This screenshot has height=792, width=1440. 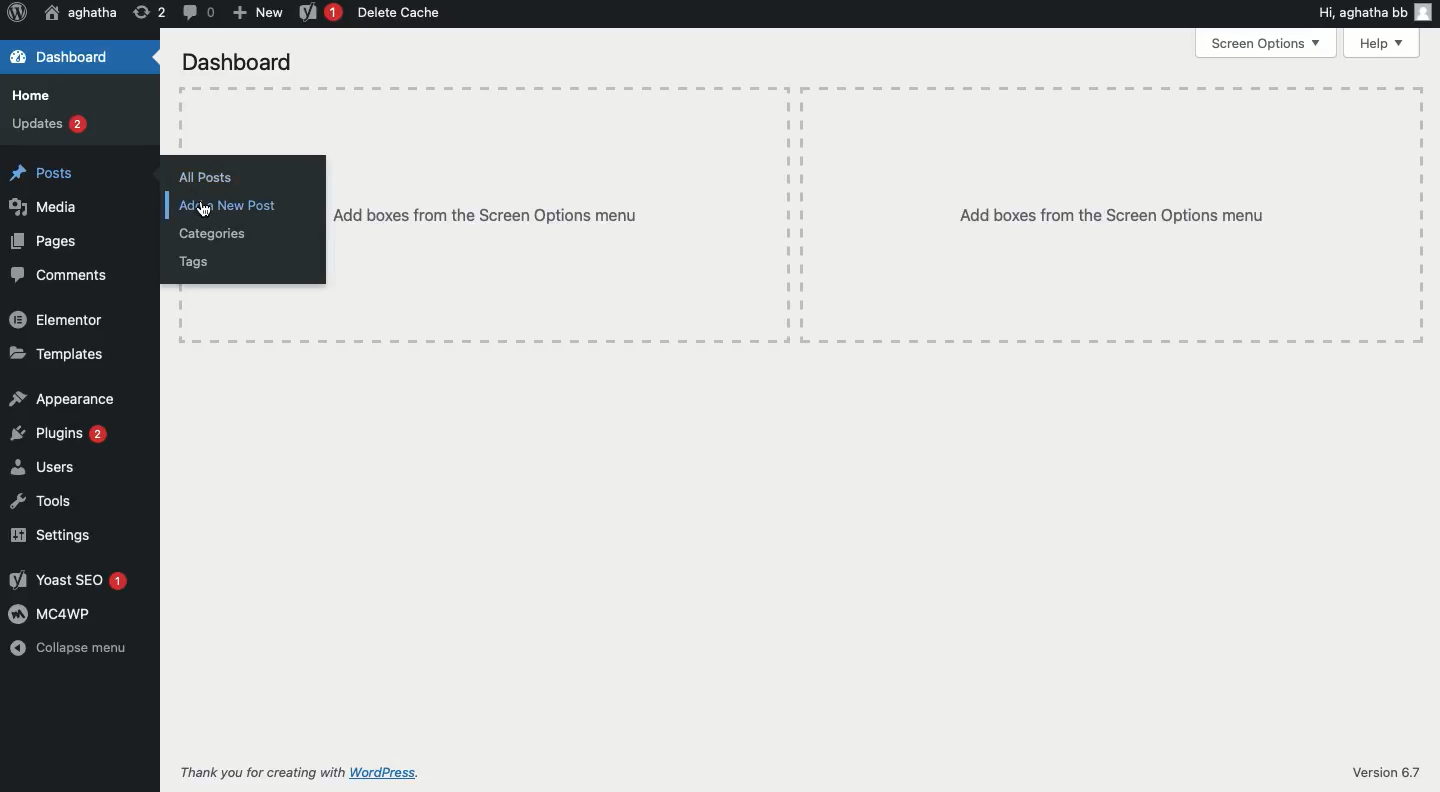 What do you see at coordinates (257, 13) in the screenshot?
I see `New` at bounding box center [257, 13].